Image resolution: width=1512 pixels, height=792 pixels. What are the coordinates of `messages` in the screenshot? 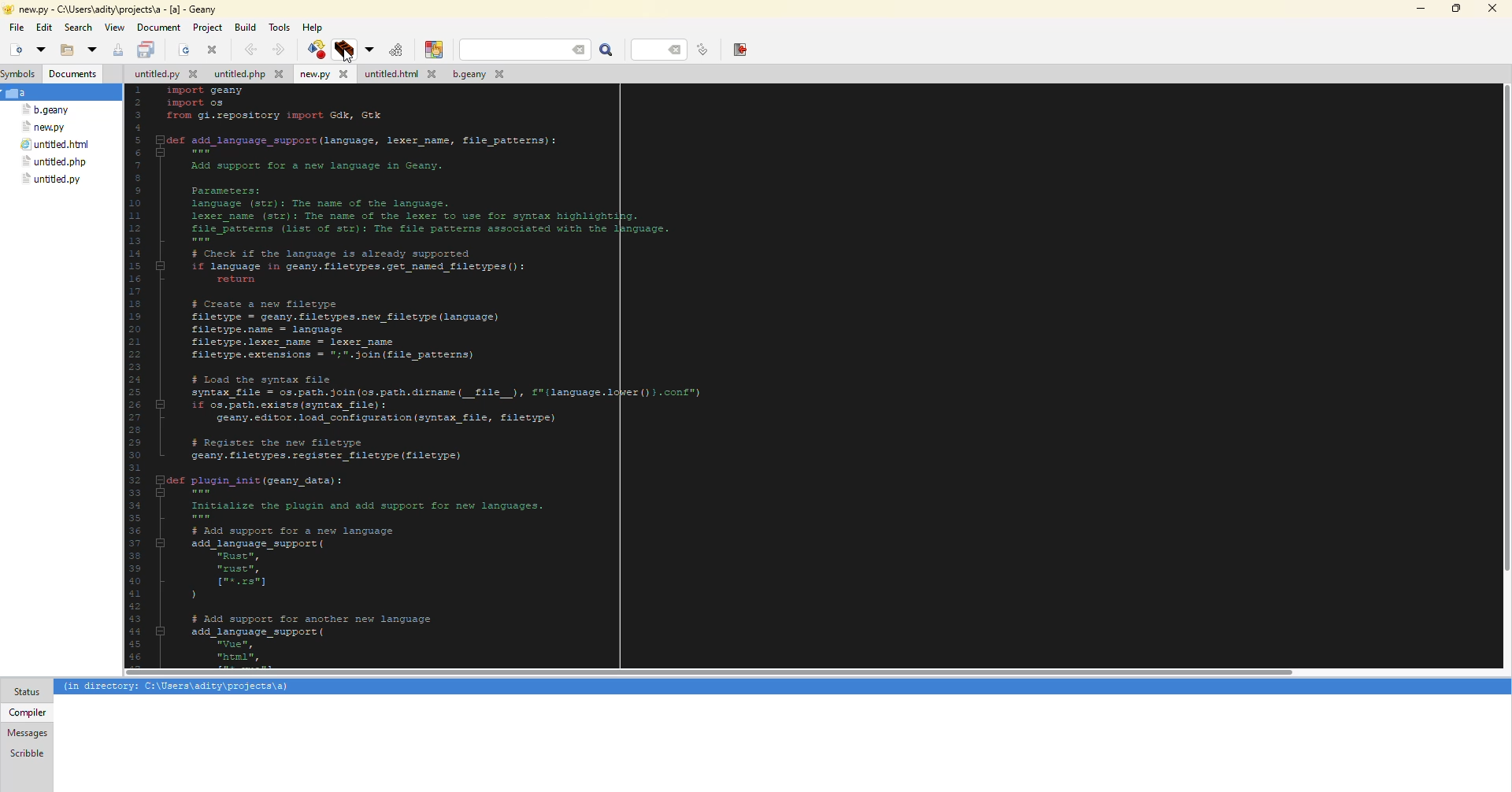 It's located at (28, 734).